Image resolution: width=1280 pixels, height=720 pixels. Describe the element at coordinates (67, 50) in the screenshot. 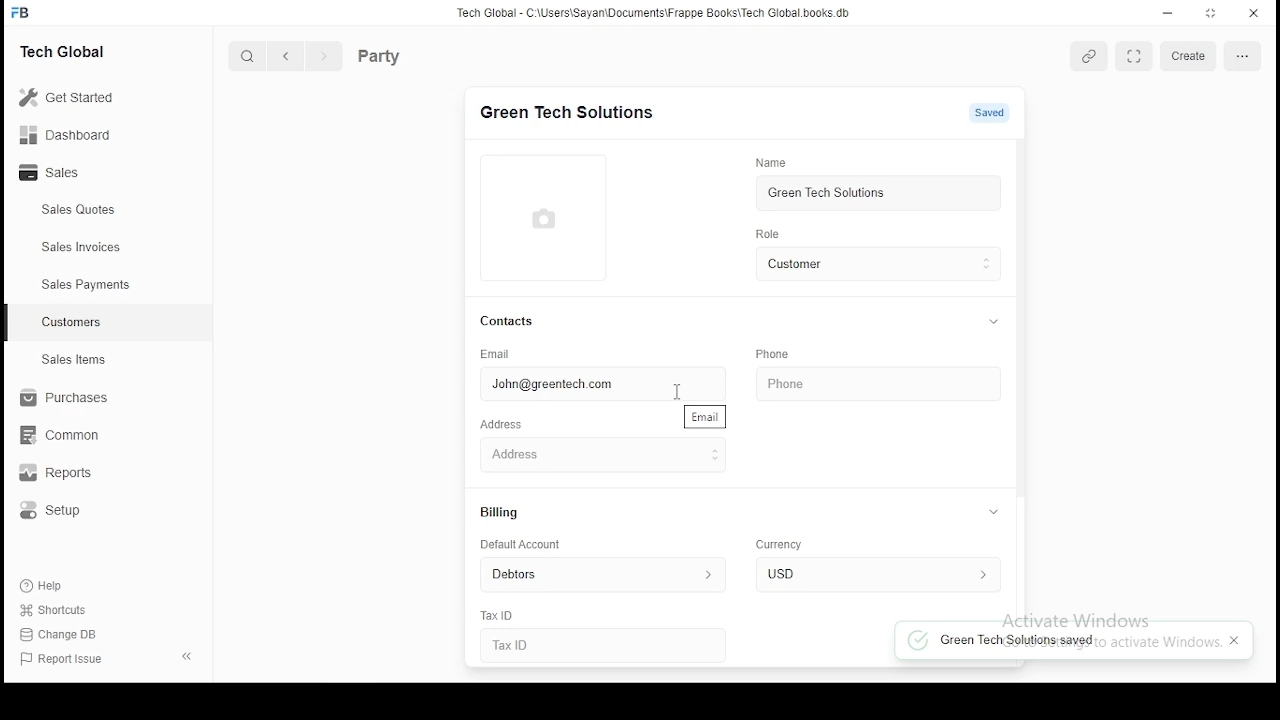

I see `tech global` at that location.